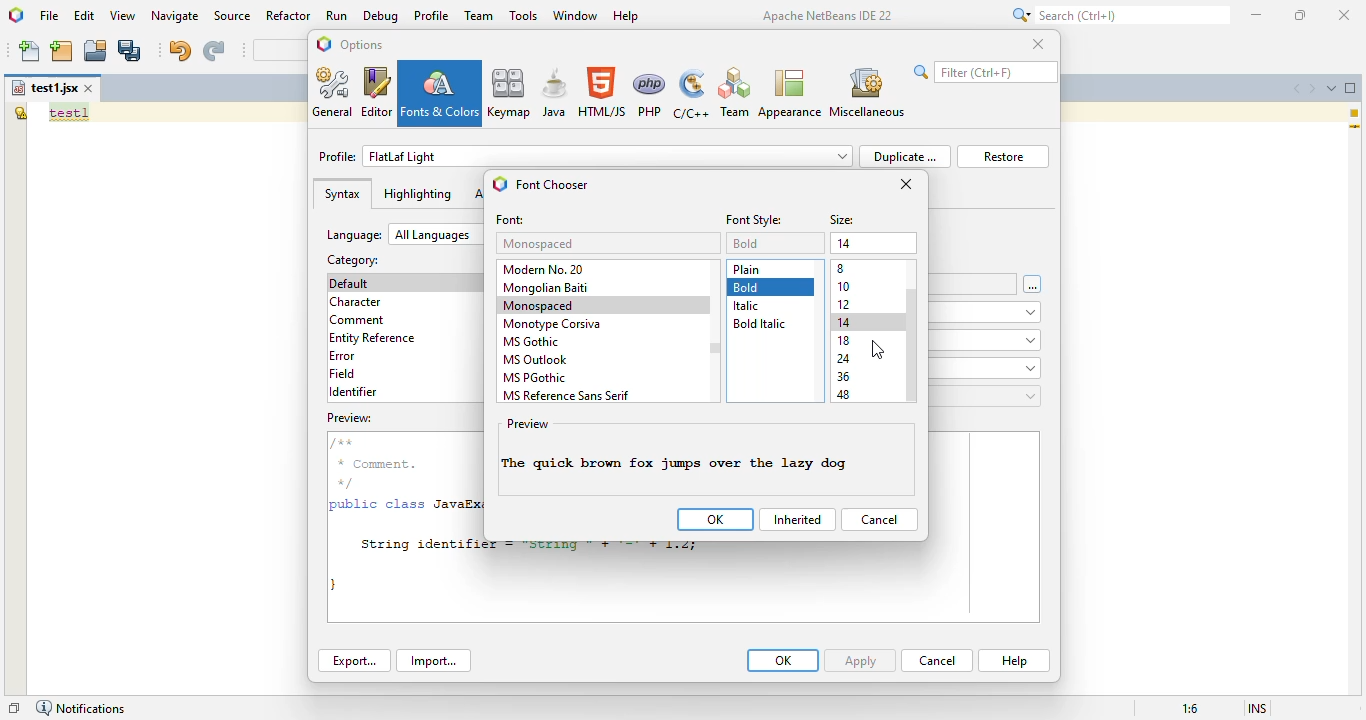 This screenshot has height=720, width=1366. I want to click on restore, so click(1003, 156).